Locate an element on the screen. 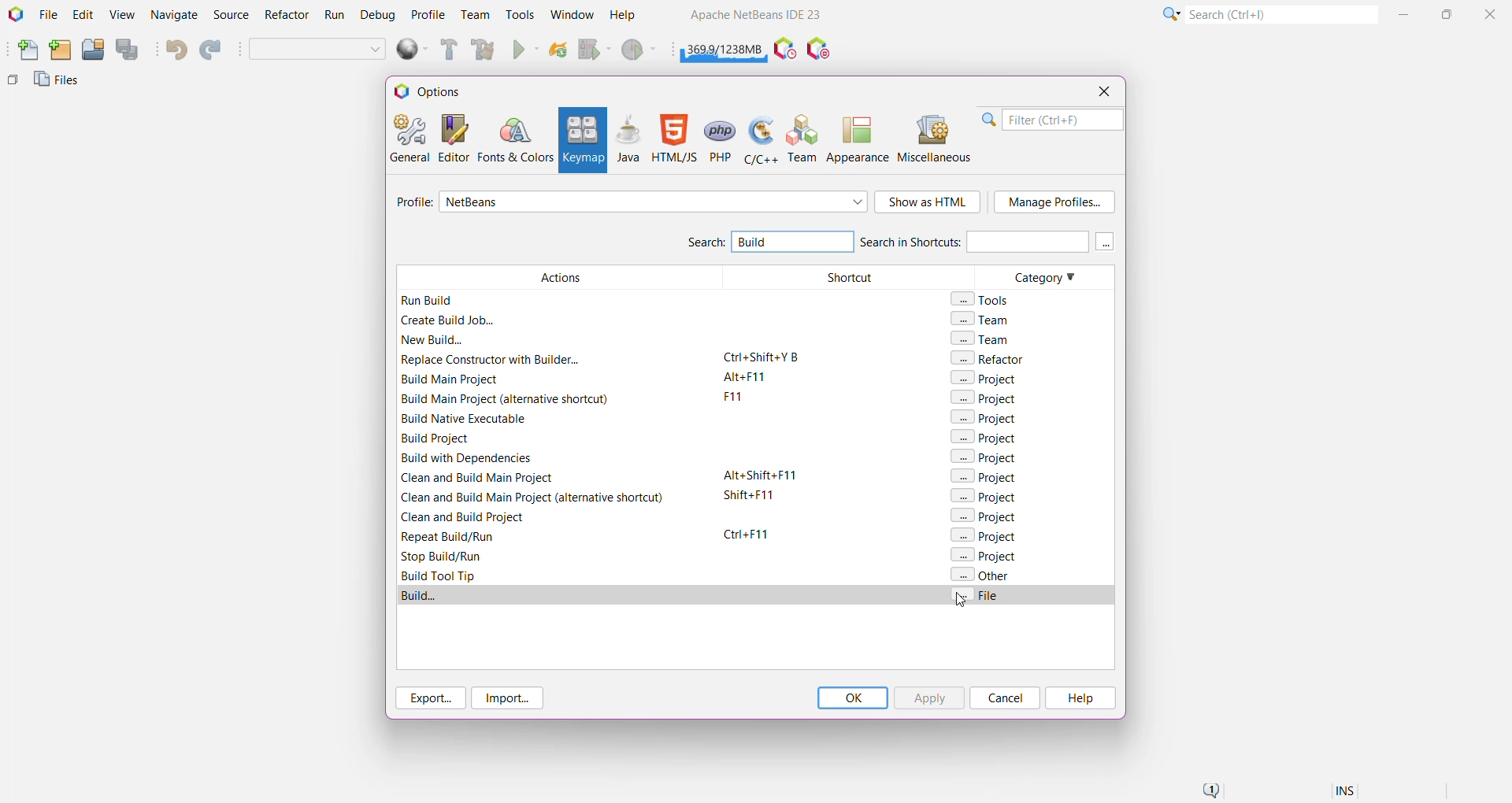 The width and height of the screenshot is (1512, 803). Search in Shortcuts is located at coordinates (973, 241).